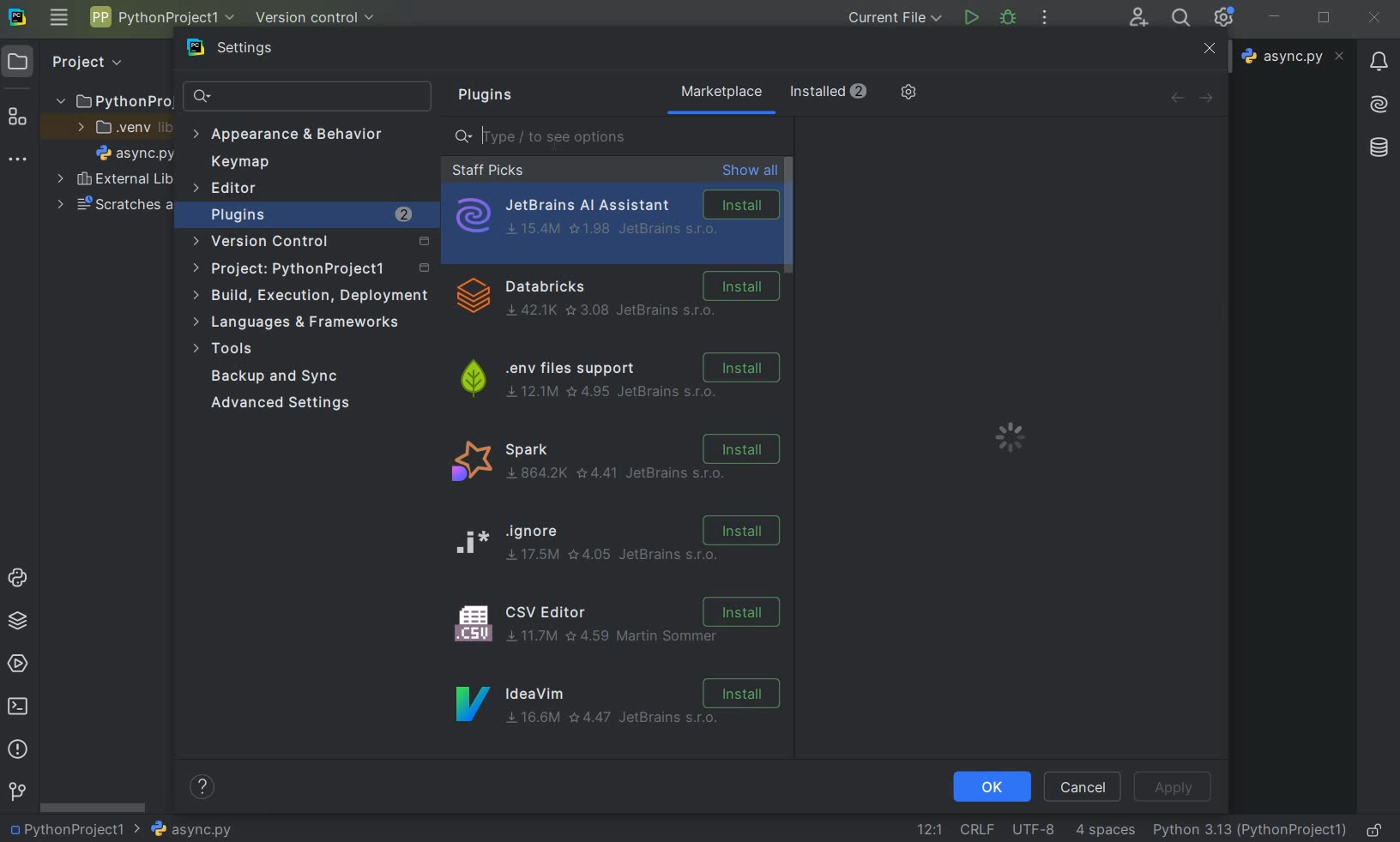 The width and height of the screenshot is (1400, 842). What do you see at coordinates (283, 403) in the screenshot?
I see `advanced settings` at bounding box center [283, 403].